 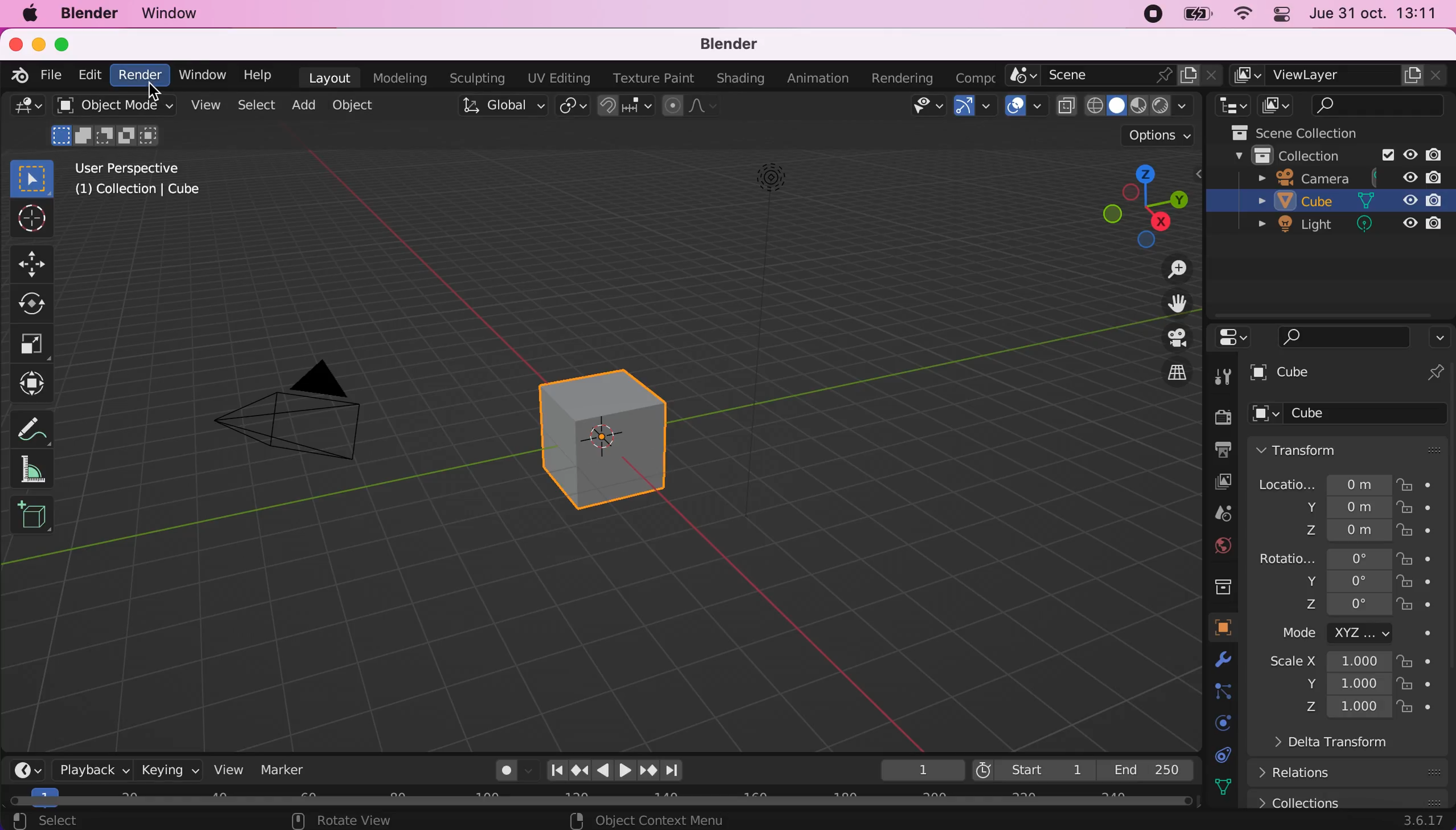 What do you see at coordinates (1348, 798) in the screenshot?
I see `collections` at bounding box center [1348, 798].